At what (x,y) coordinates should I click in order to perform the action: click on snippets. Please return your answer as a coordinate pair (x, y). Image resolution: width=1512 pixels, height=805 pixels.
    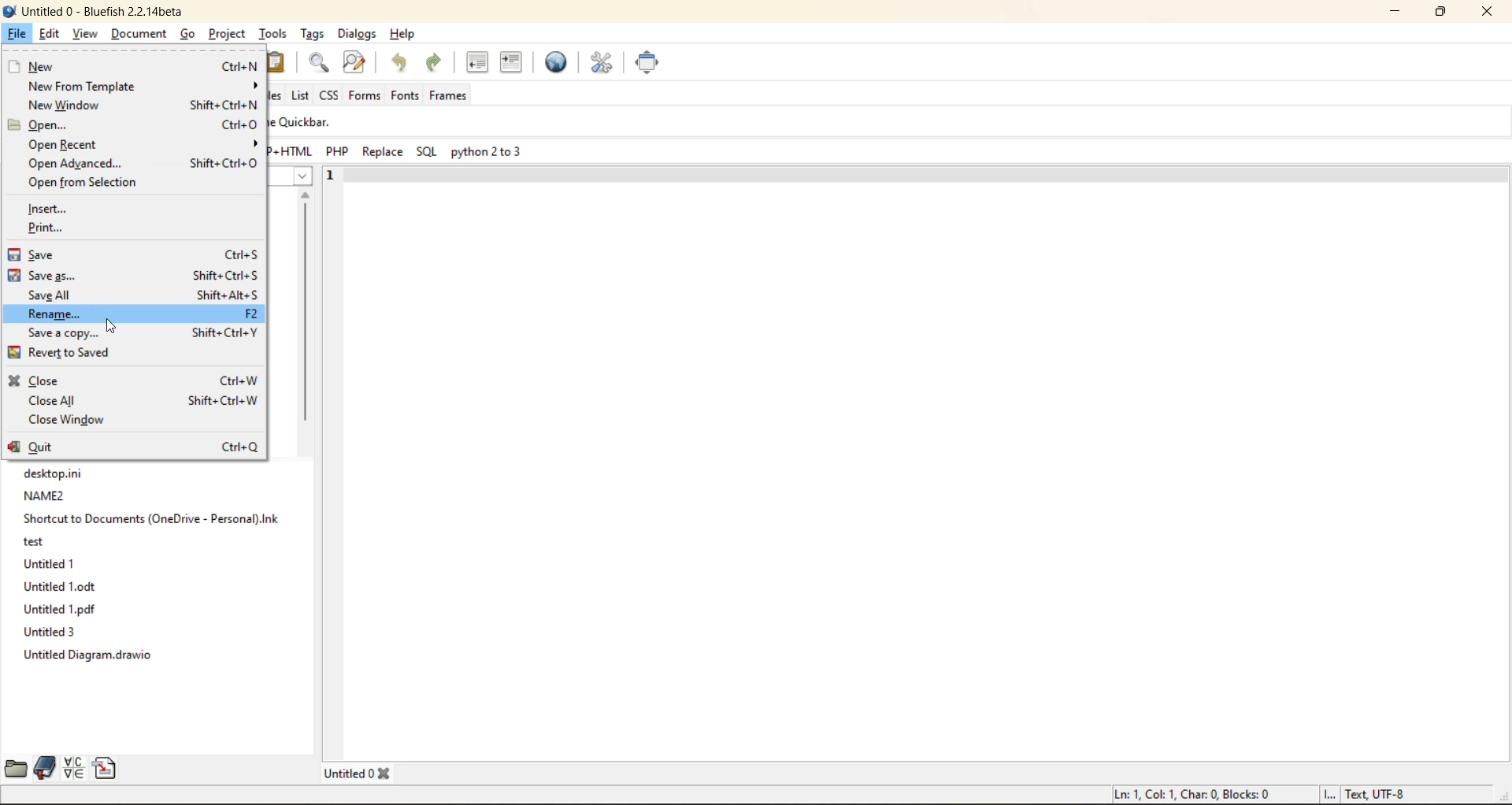
    Looking at the image, I should click on (107, 768).